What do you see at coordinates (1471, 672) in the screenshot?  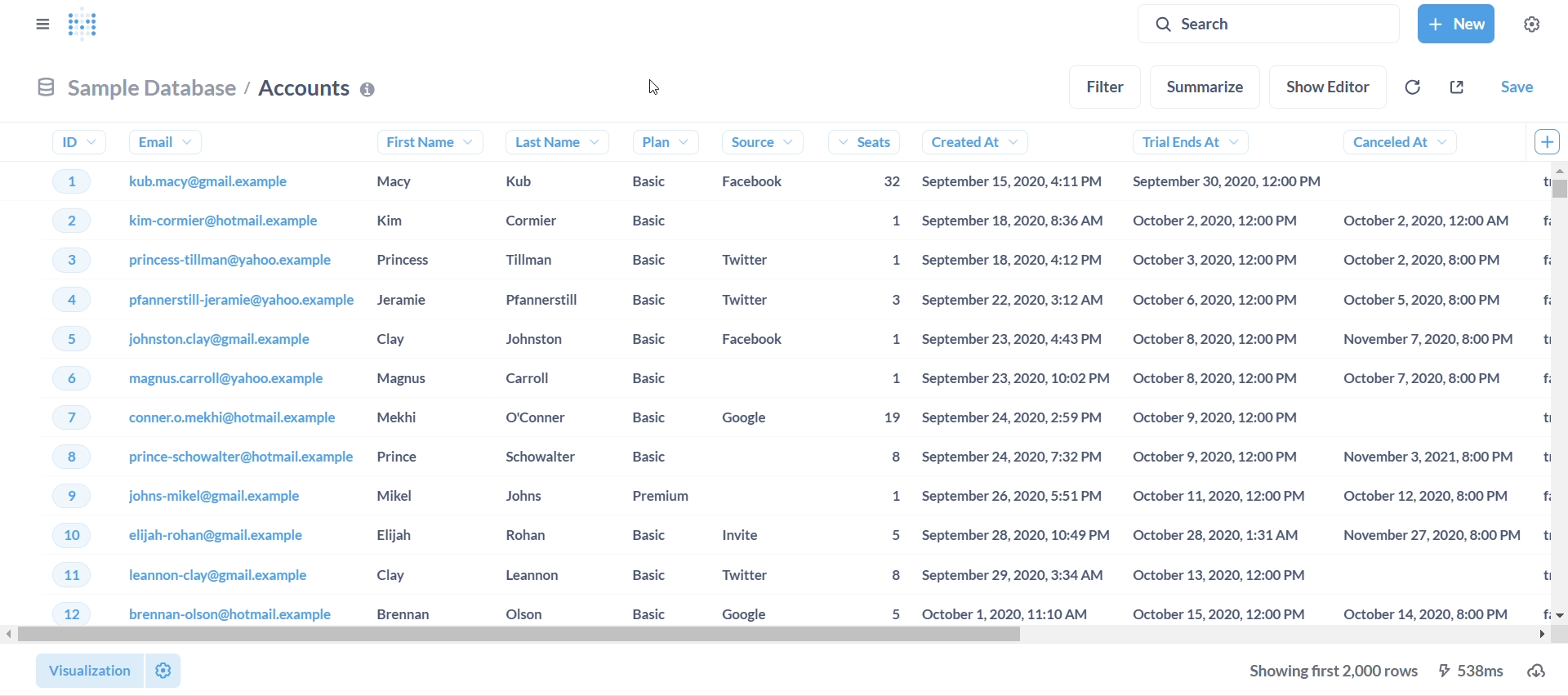 I see `538ms` at bounding box center [1471, 672].